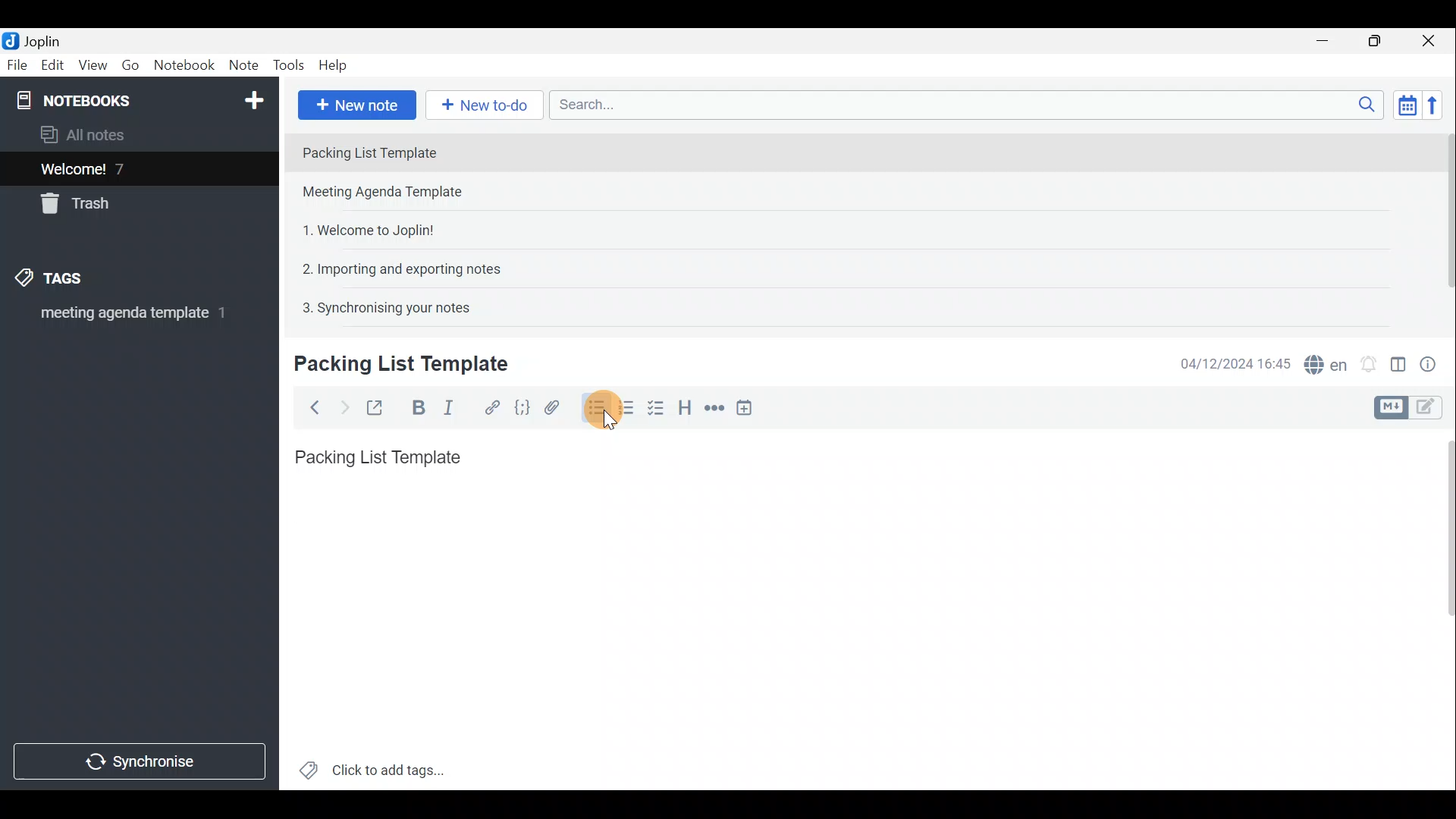 This screenshot has height=819, width=1456. I want to click on Minimise, so click(1330, 43).